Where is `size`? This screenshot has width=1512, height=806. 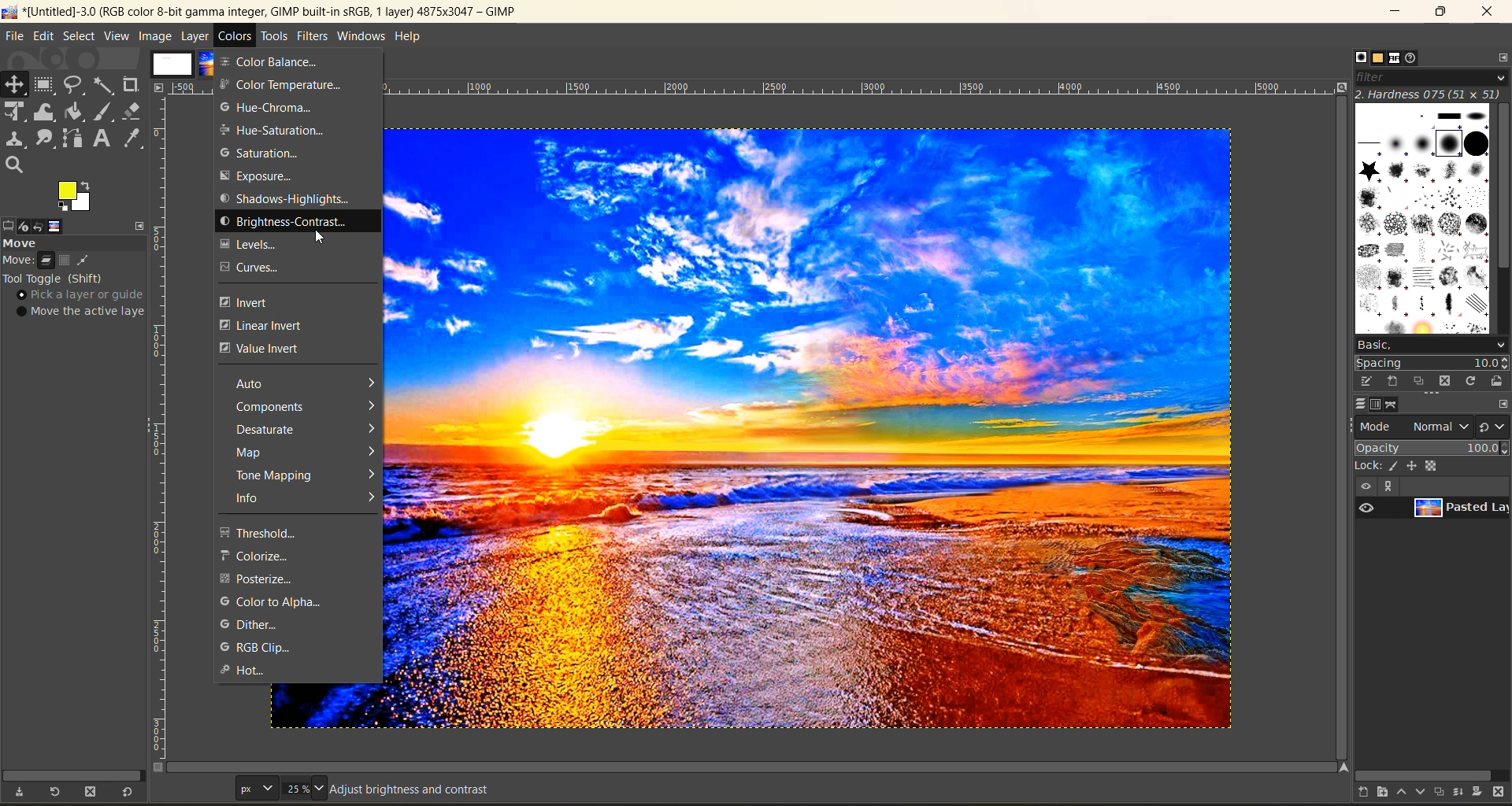 size is located at coordinates (283, 788).